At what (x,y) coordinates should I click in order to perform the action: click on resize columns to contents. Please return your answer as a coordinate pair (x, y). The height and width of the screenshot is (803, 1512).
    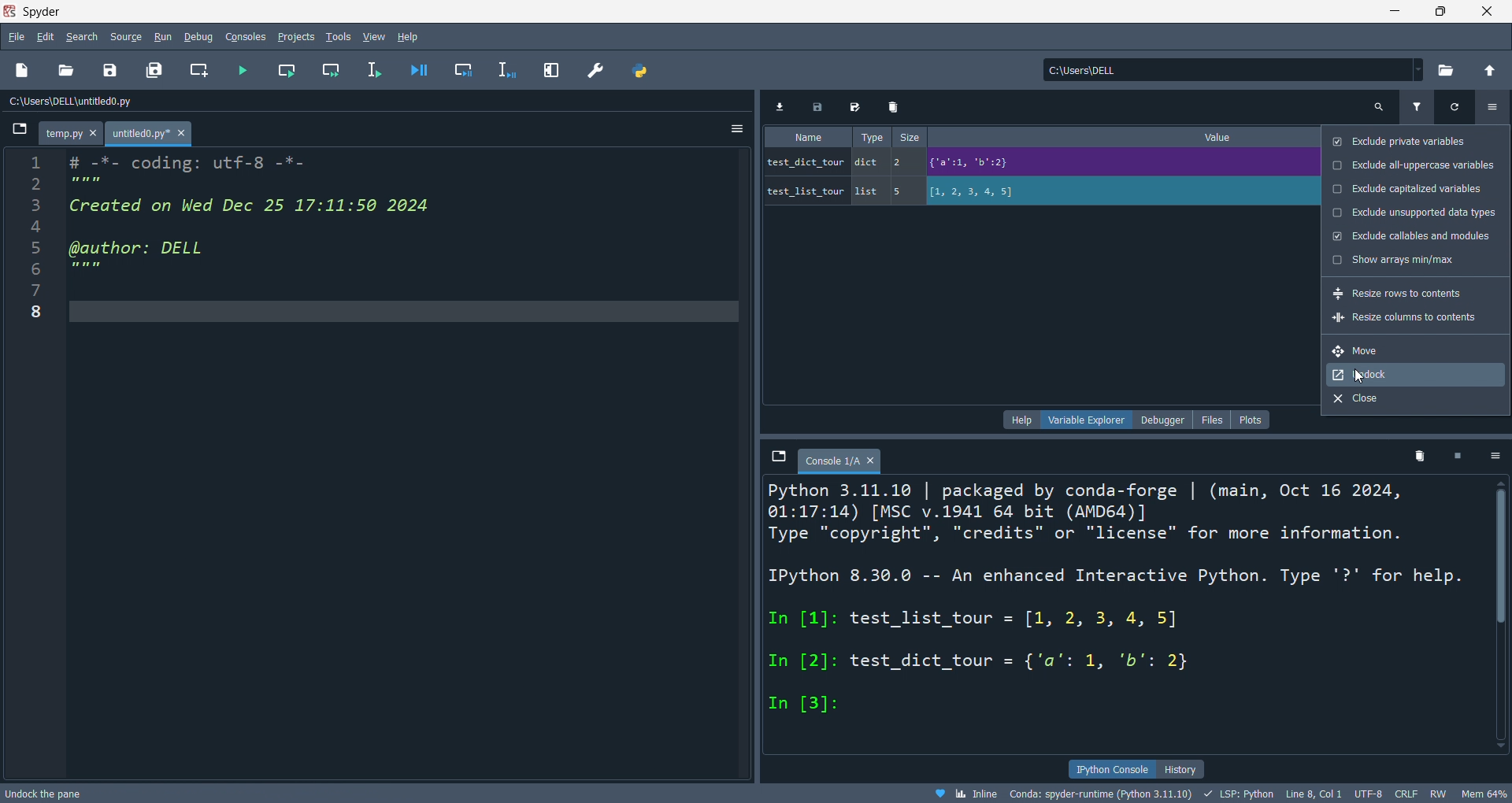
    Looking at the image, I should click on (1415, 318).